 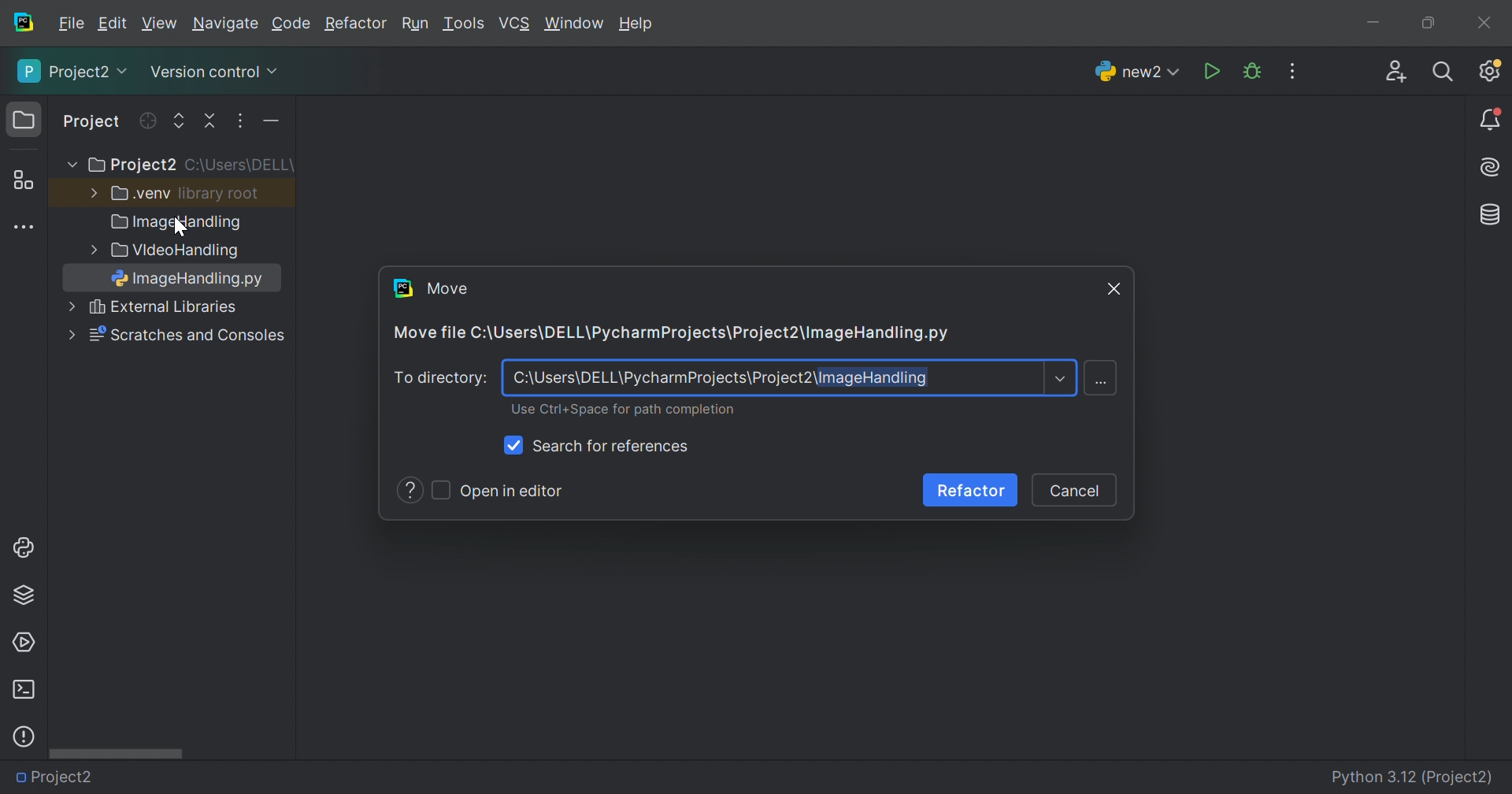 What do you see at coordinates (1062, 380) in the screenshot?
I see `Drop down` at bounding box center [1062, 380].